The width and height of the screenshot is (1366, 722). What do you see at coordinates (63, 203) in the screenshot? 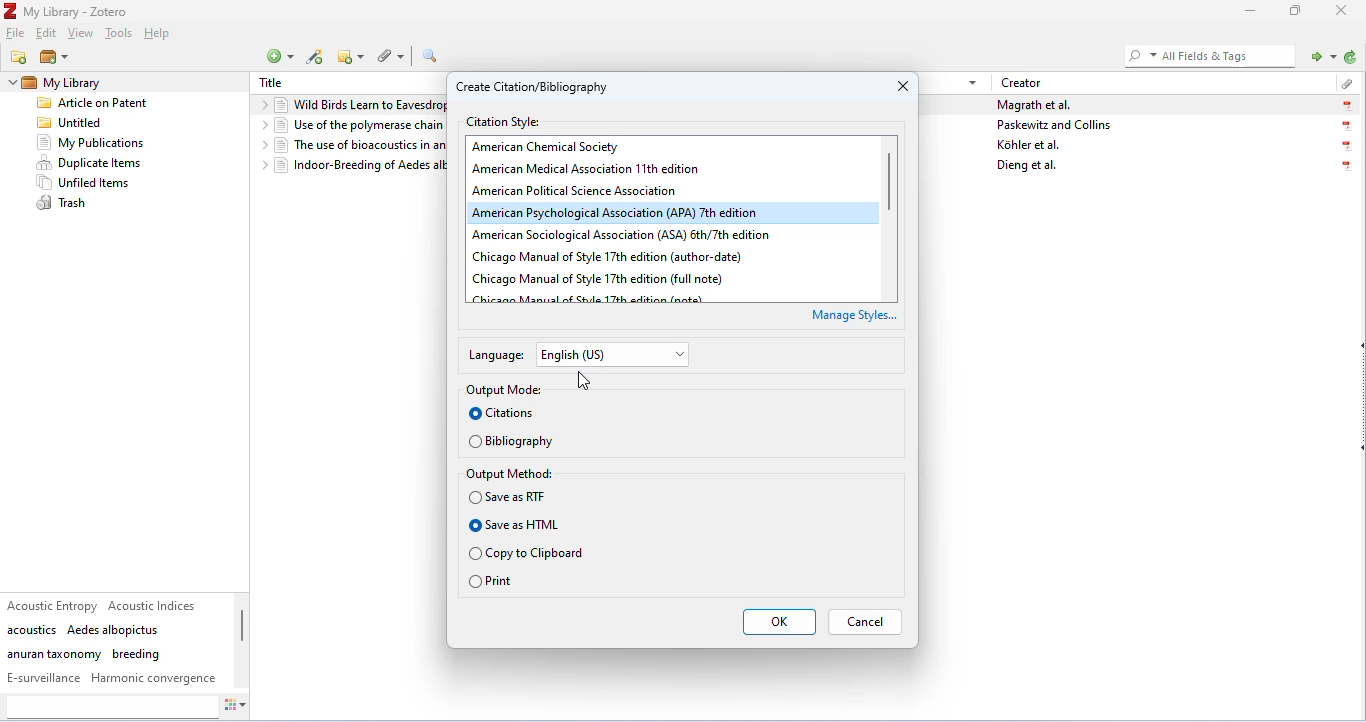
I see `trash` at bounding box center [63, 203].